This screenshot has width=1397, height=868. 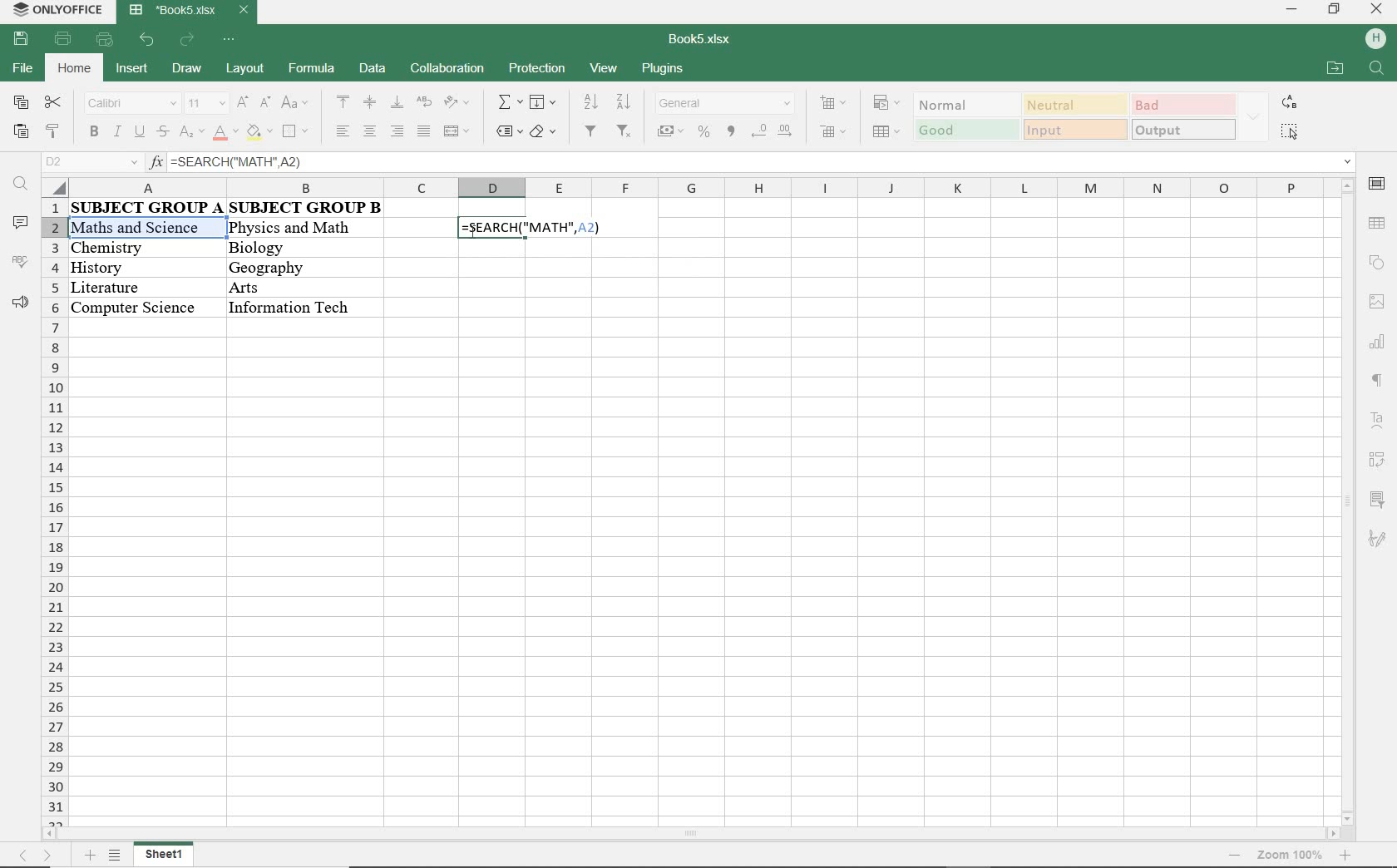 What do you see at coordinates (135, 70) in the screenshot?
I see `insert` at bounding box center [135, 70].